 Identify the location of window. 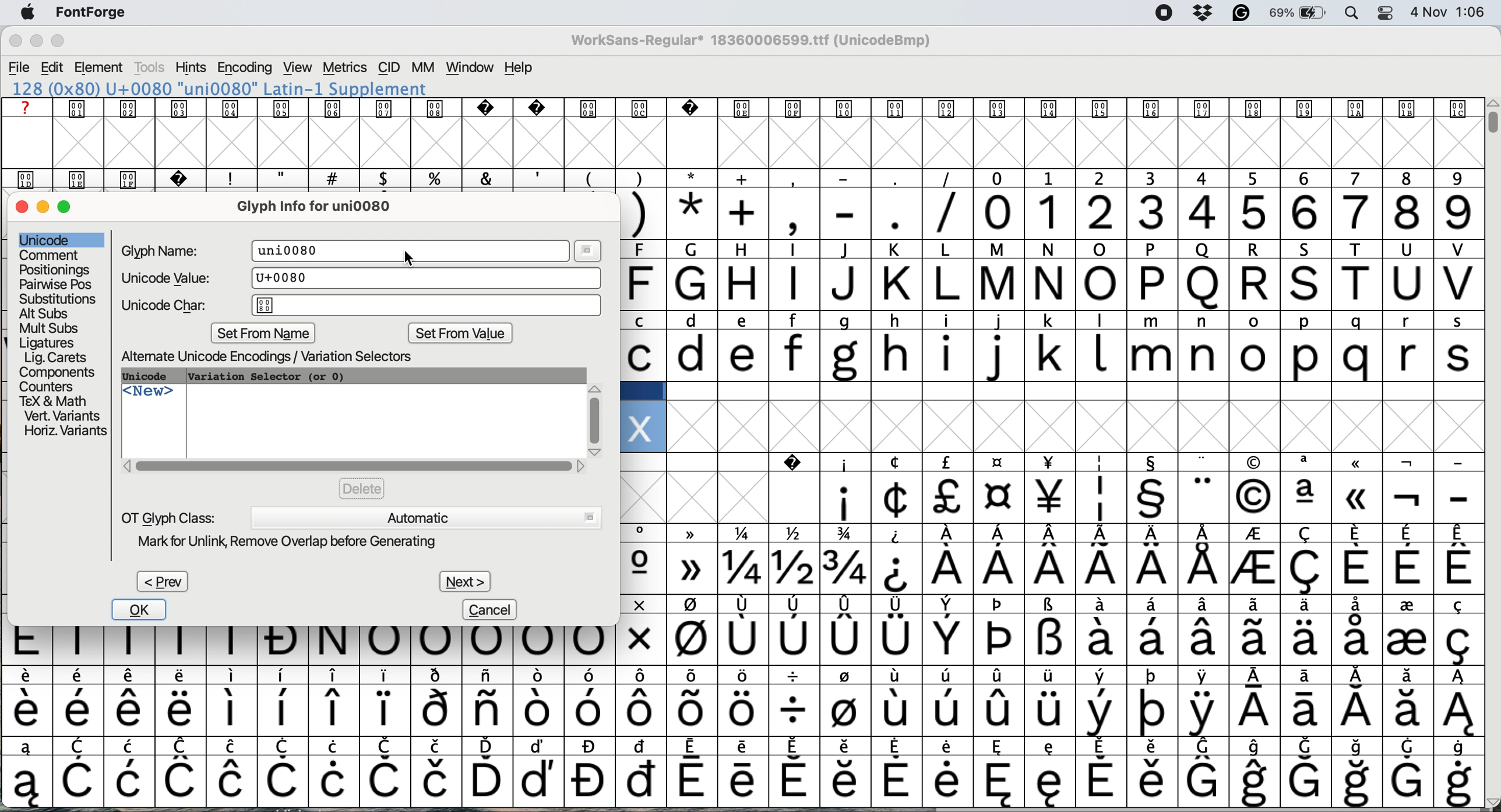
(469, 68).